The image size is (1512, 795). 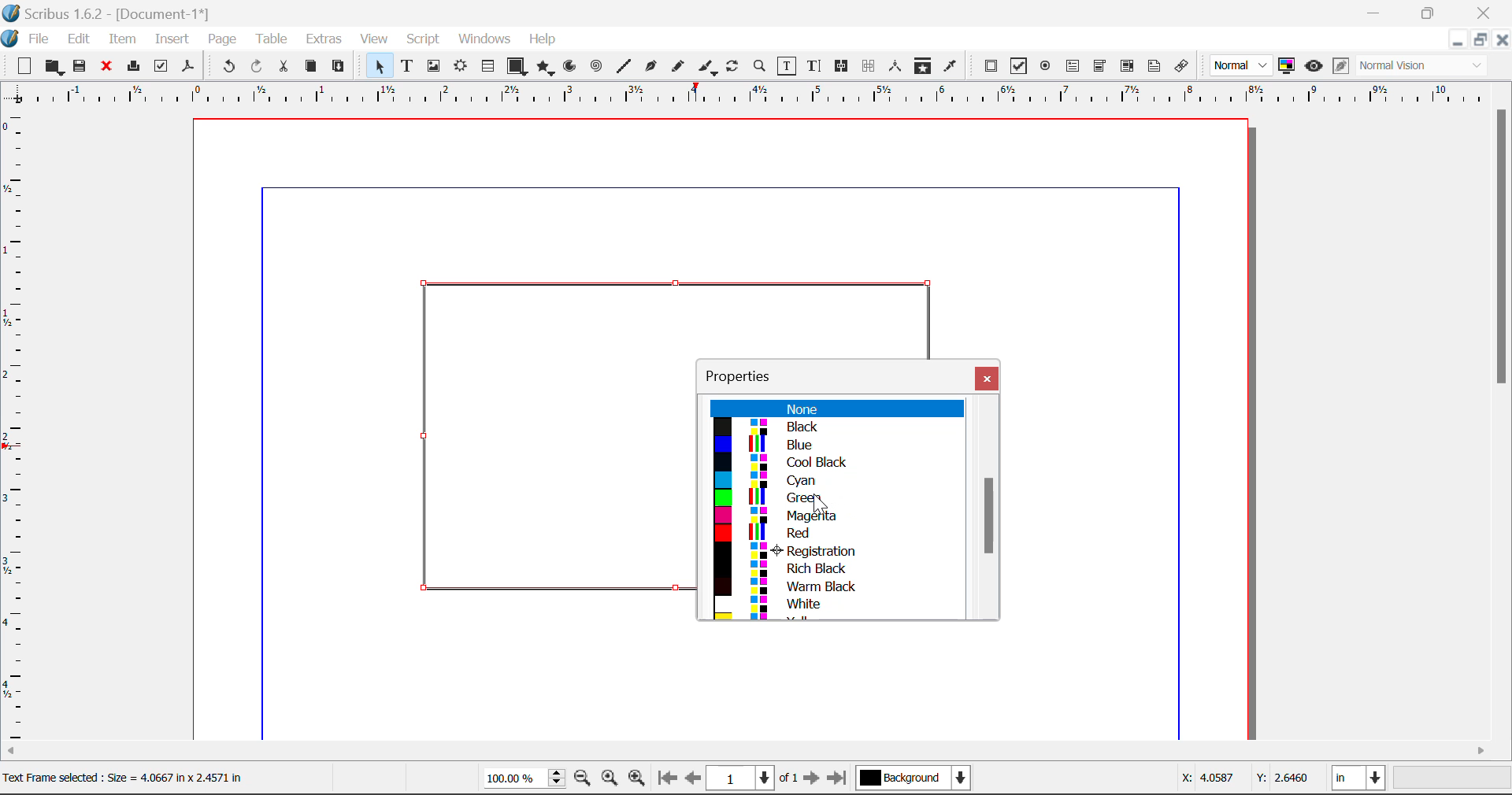 What do you see at coordinates (922, 66) in the screenshot?
I see `Copy Item Properties` at bounding box center [922, 66].